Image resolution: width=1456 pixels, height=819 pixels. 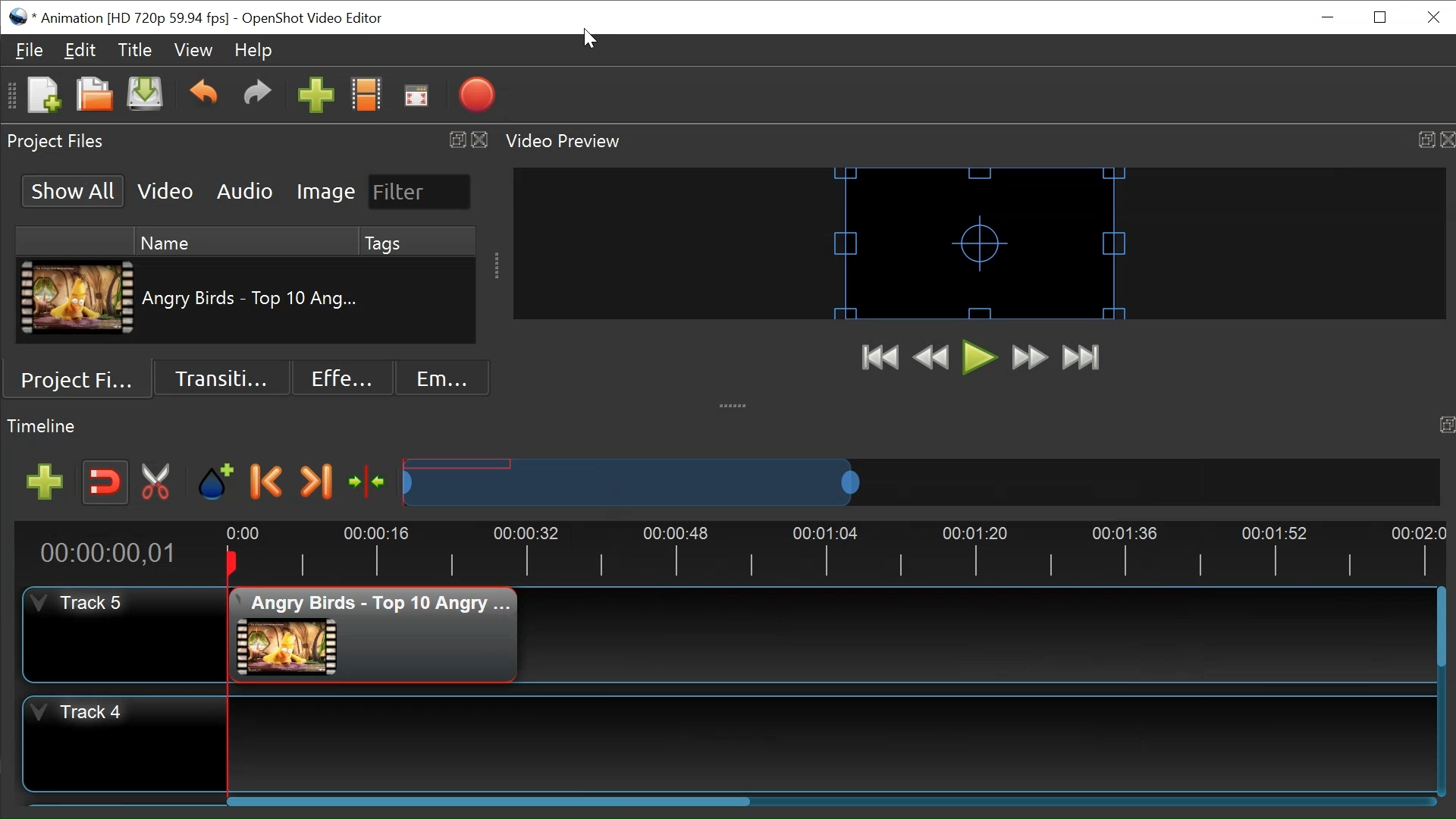 What do you see at coordinates (441, 378) in the screenshot?
I see `Emoji` at bounding box center [441, 378].